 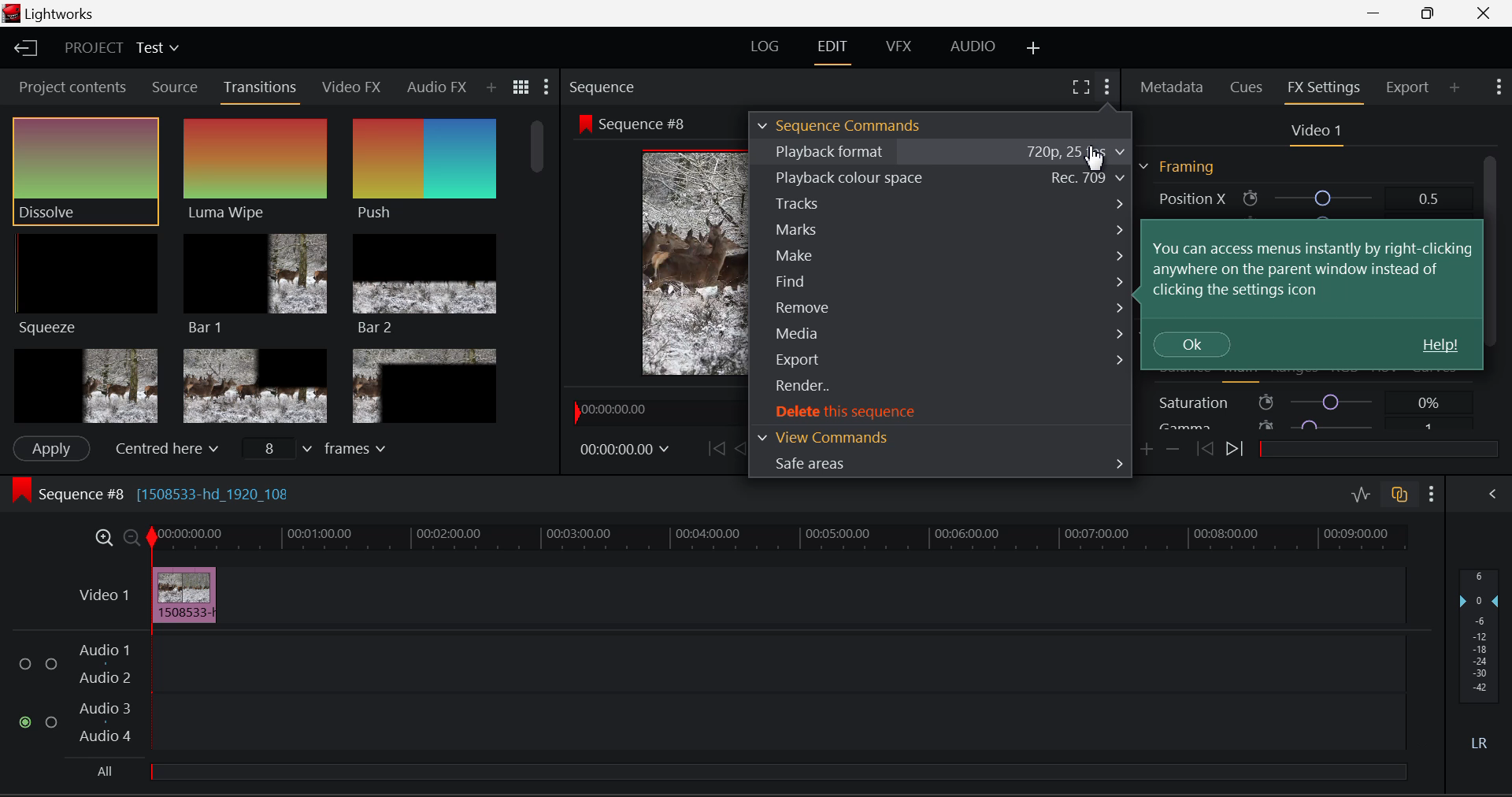 I want to click on Tracks, so click(x=942, y=202).